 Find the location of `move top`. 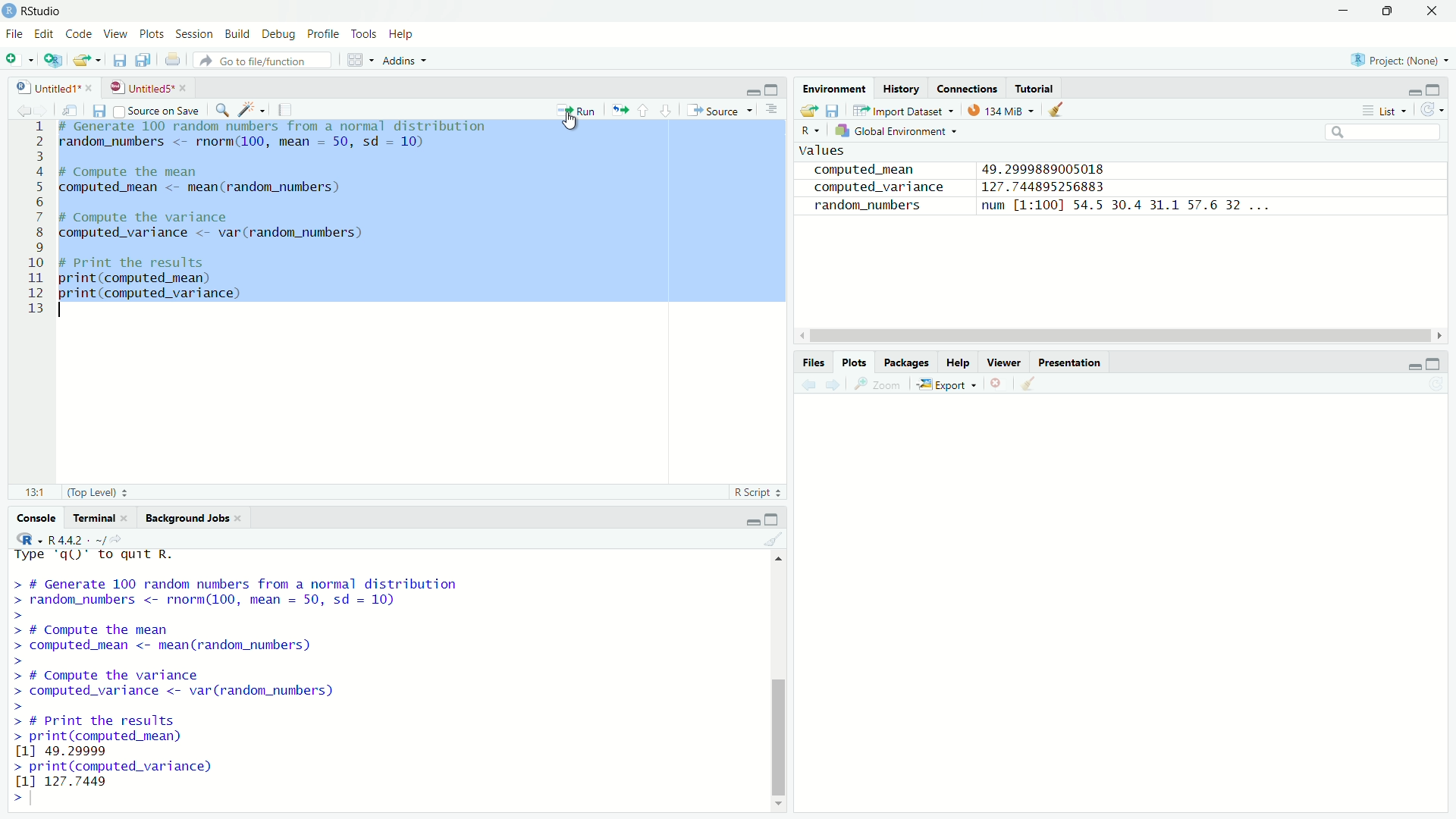

move top is located at coordinates (777, 563).